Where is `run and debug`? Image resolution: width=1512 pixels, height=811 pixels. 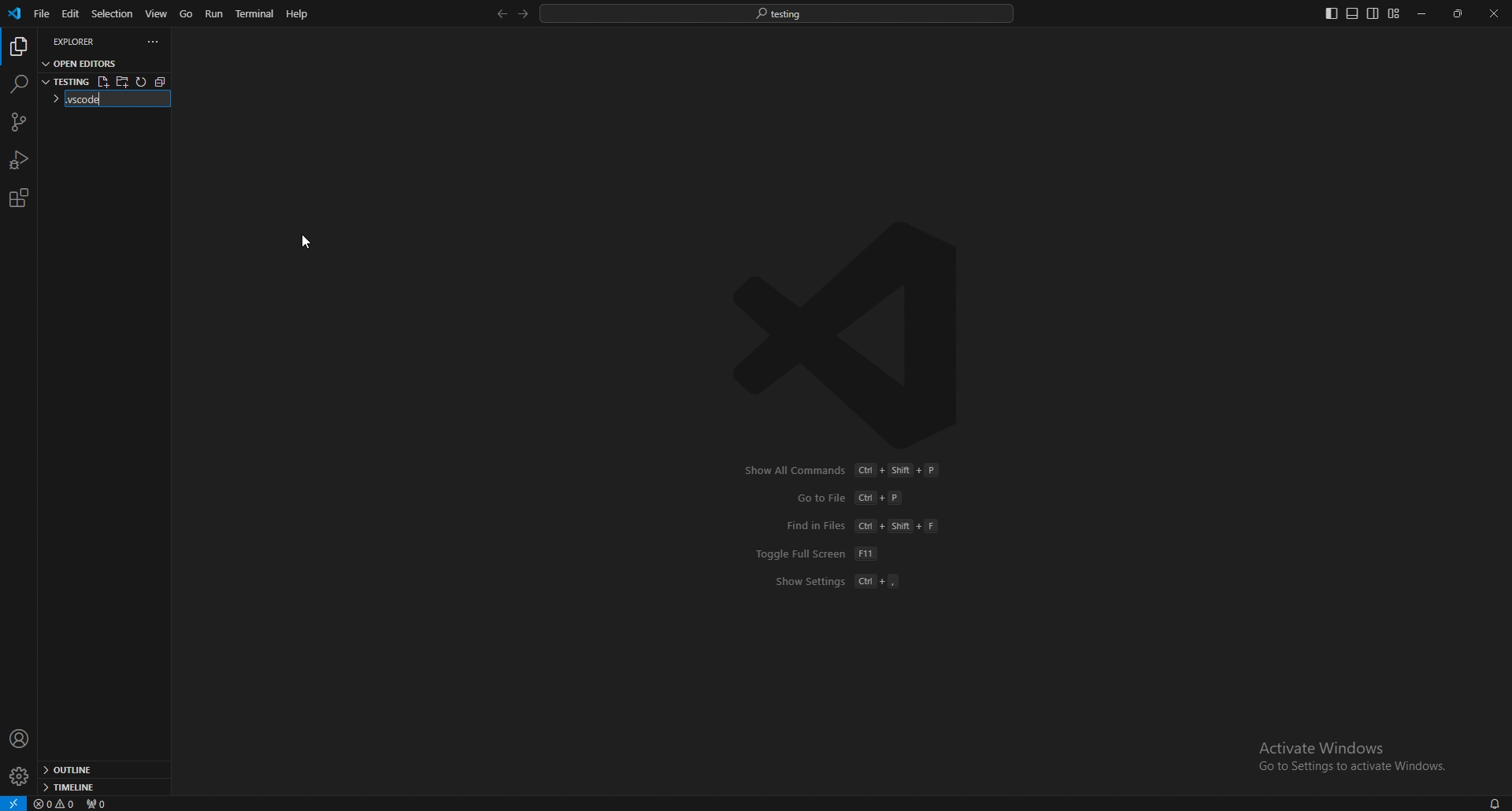 run and debug is located at coordinates (20, 160).